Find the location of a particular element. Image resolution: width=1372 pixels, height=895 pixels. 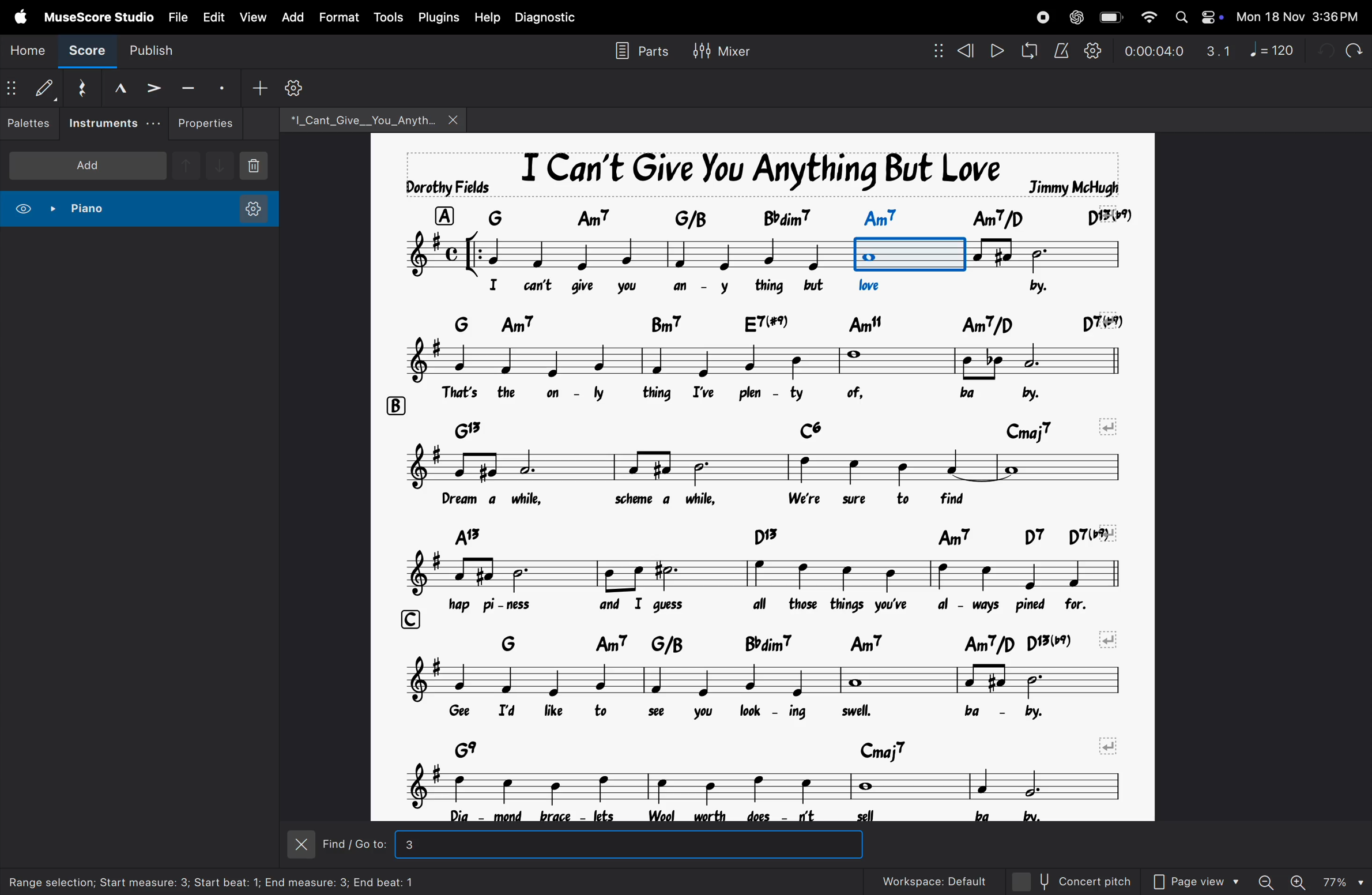

time frame is located at coordinates (1149, 51).